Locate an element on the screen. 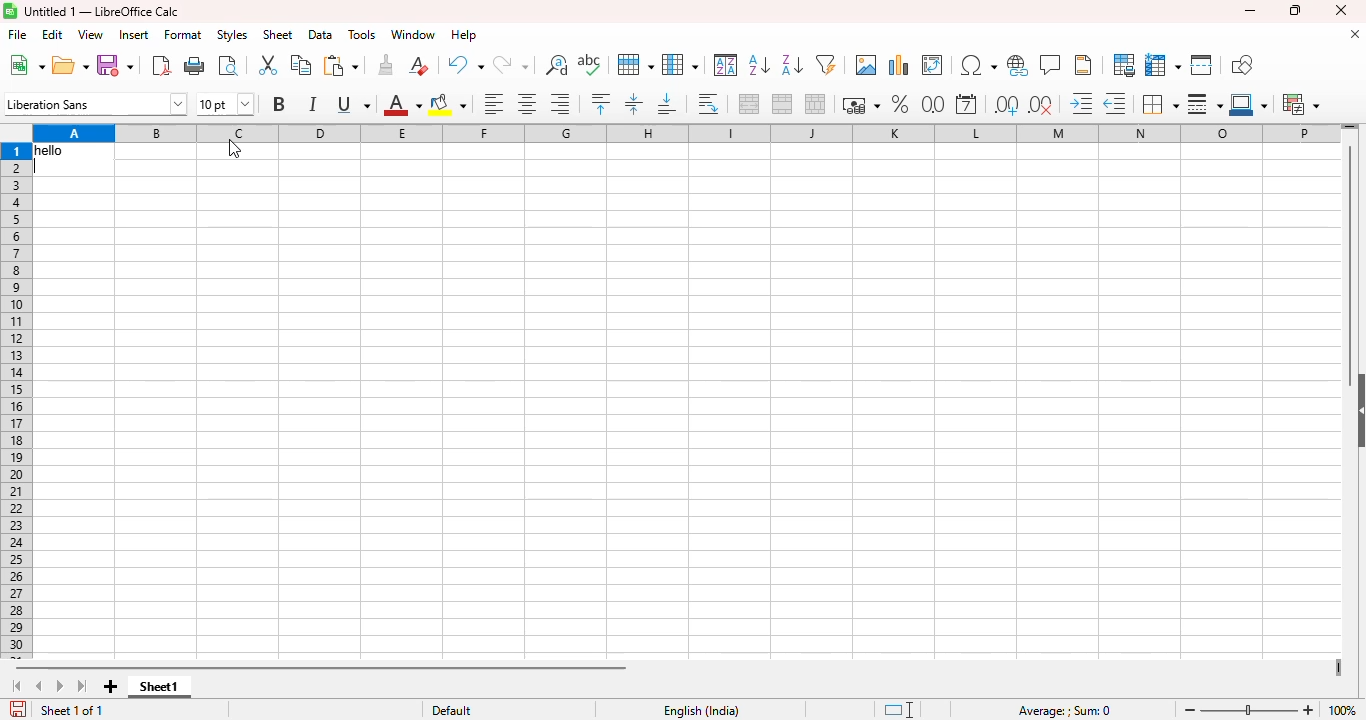  clear direct formatting is located at coordinates (419, 64).